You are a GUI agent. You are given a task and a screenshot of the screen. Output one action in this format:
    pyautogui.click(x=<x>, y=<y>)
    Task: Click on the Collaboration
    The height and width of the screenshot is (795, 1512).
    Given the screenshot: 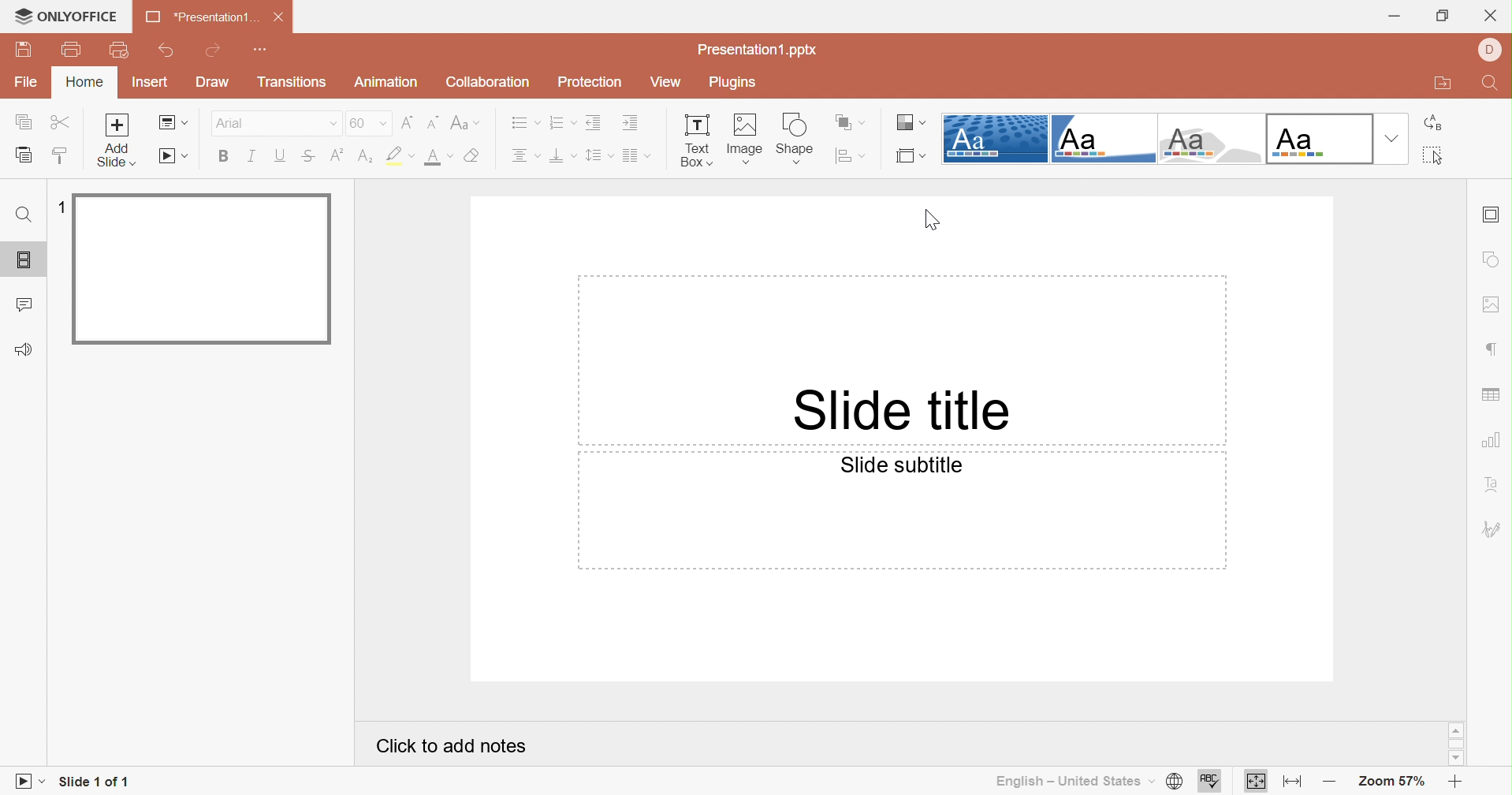 What is the action you would take?
    pyautogui.click(x=490, y=80)
    